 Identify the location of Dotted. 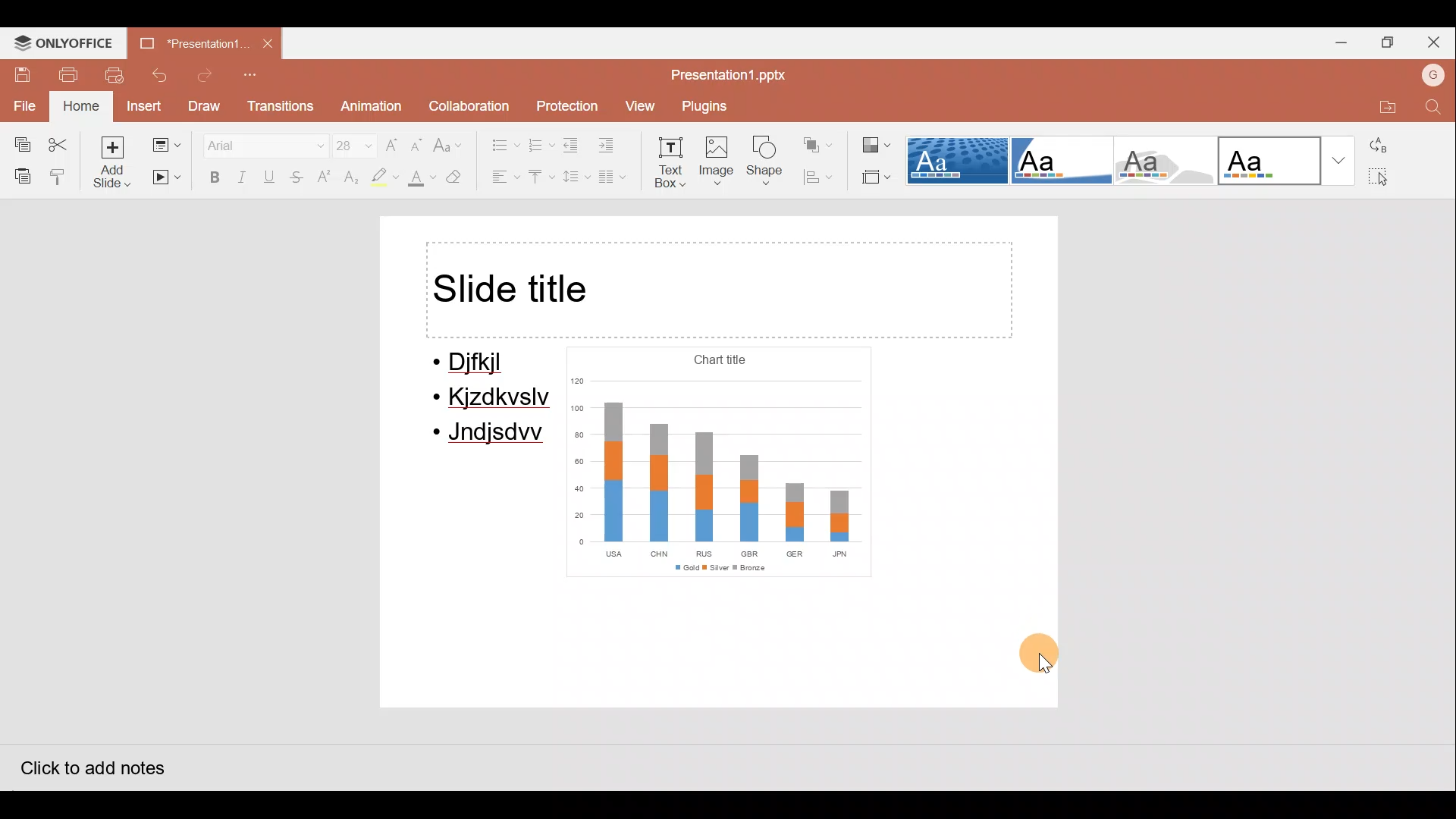
(959, 162).